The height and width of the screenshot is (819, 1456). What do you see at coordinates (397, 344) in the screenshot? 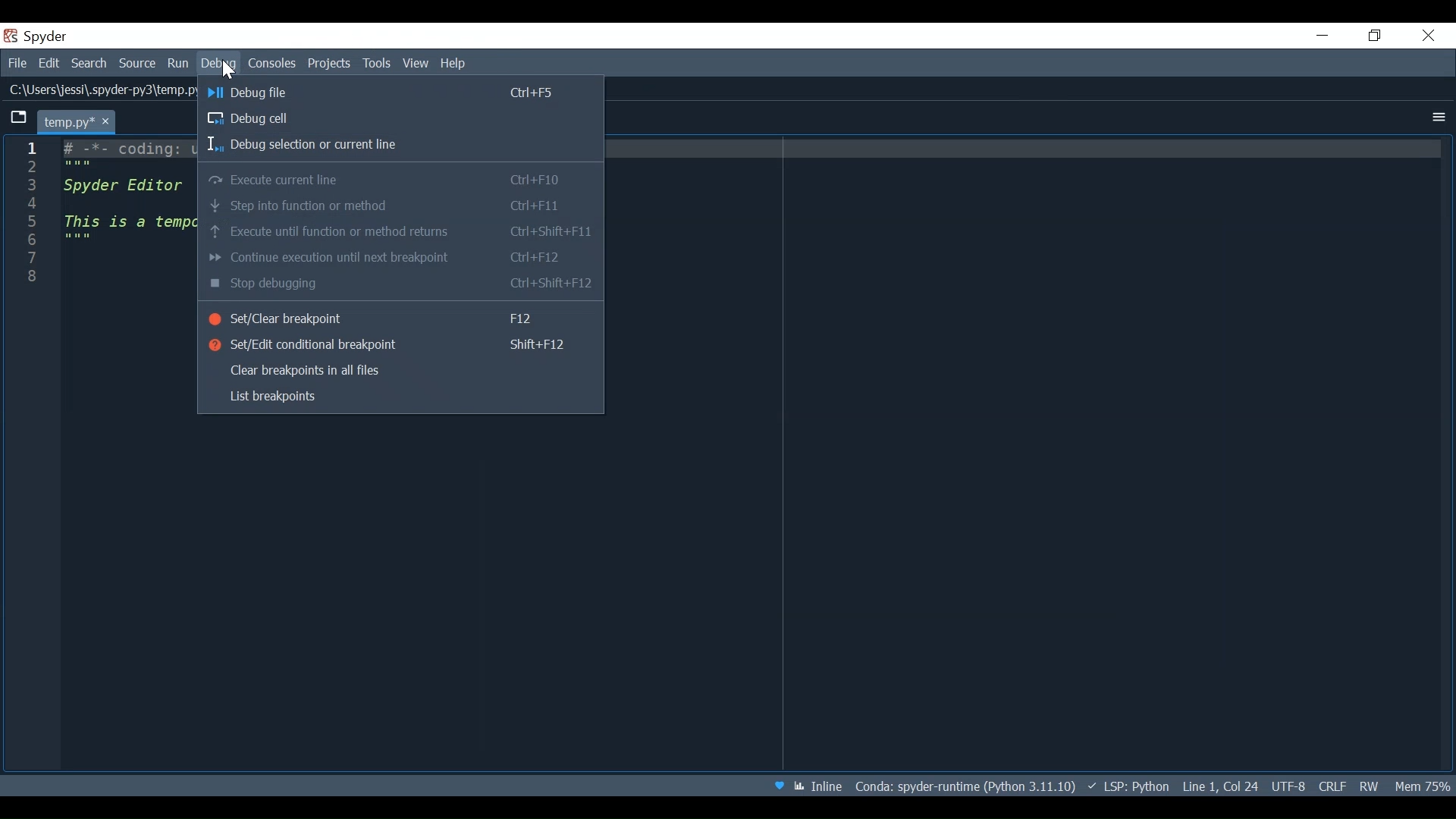
I see `Set/Edit conditional breakpoint` at bounding box center [397, 344].